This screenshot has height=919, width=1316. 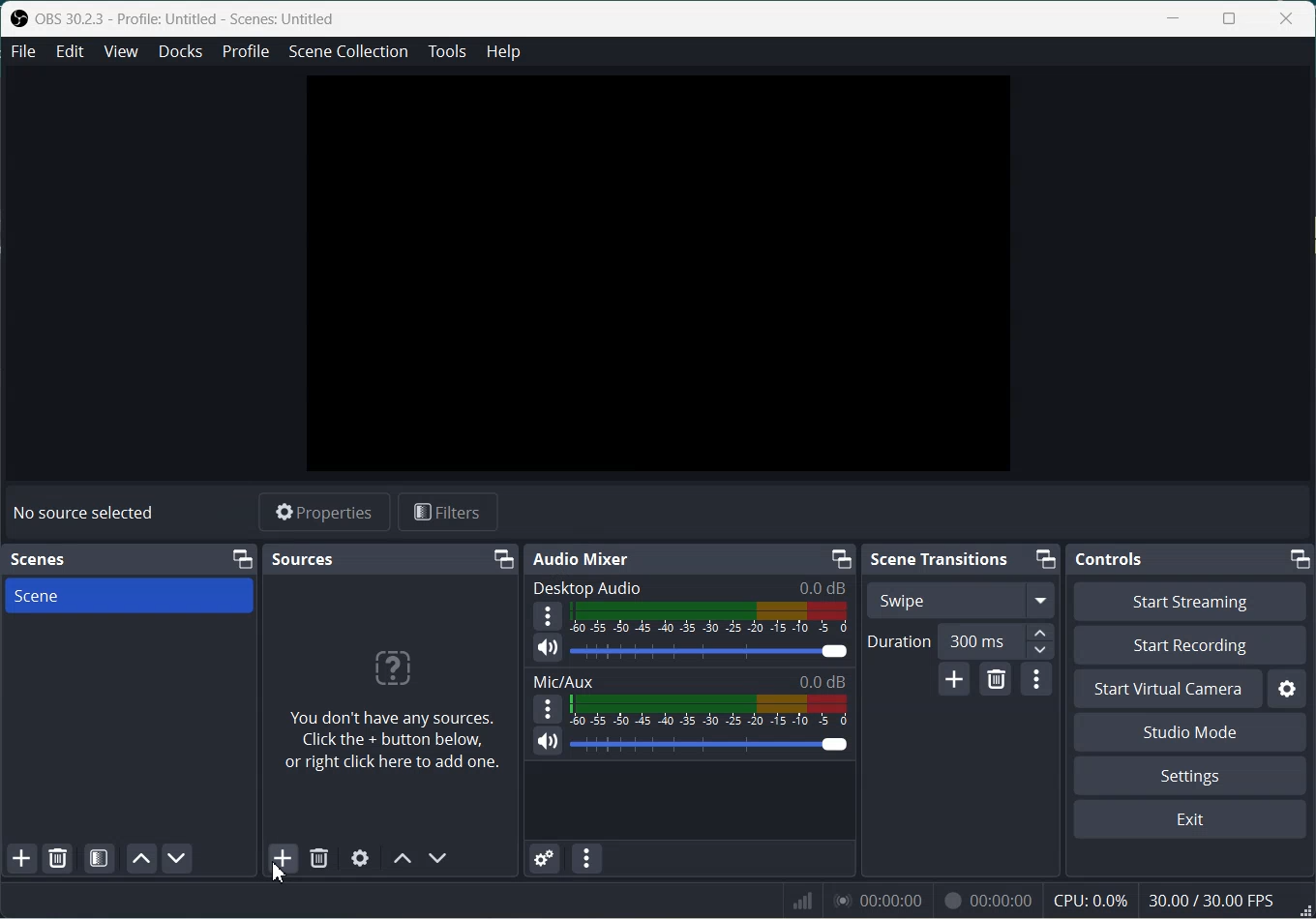 What do you see at coordinates (710, 653) in the screenshot?
I see `Volume Adjuster` at bounding box center [710, 653].